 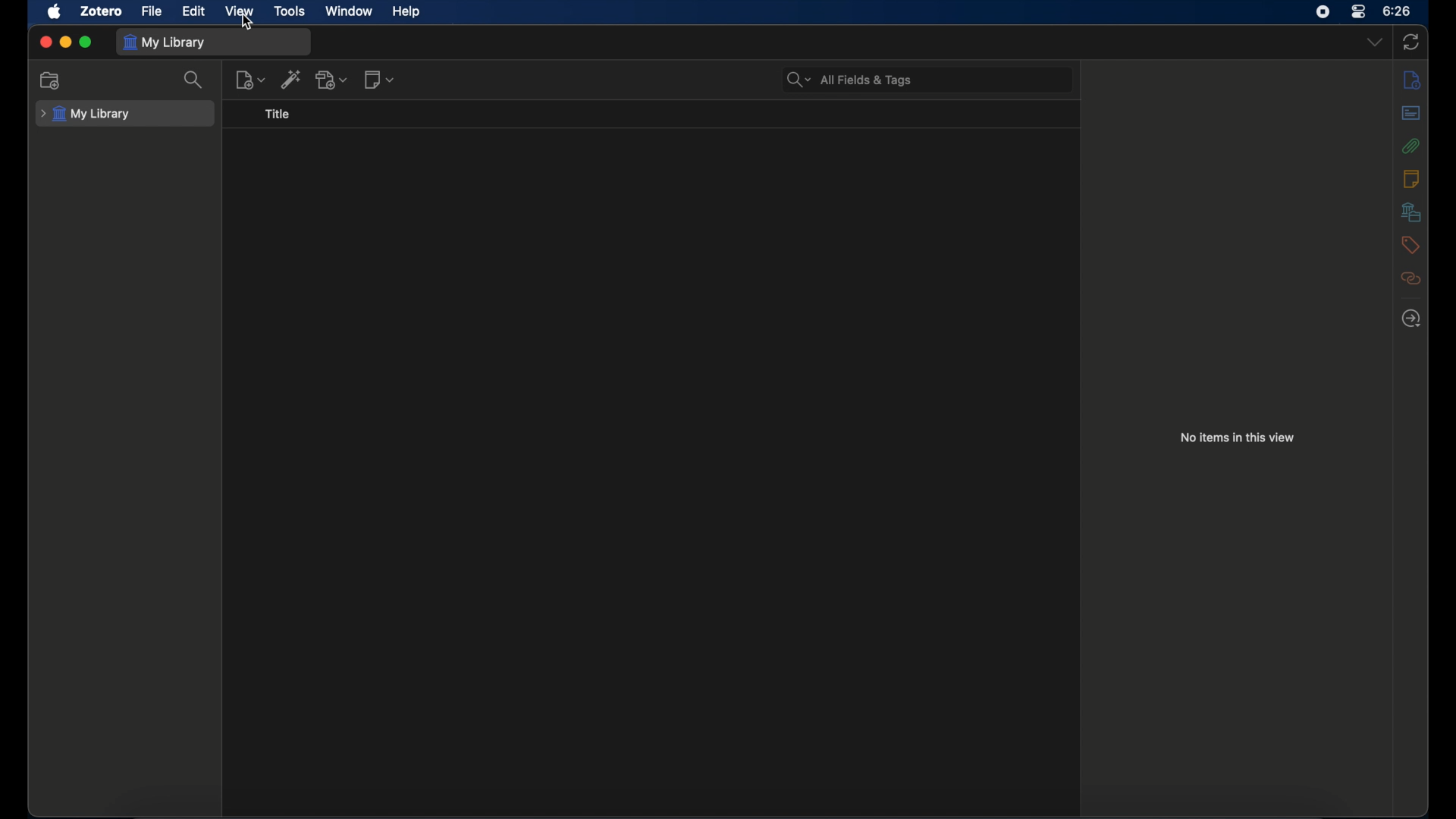 I want to click on related, so click(x=1410, y=278).